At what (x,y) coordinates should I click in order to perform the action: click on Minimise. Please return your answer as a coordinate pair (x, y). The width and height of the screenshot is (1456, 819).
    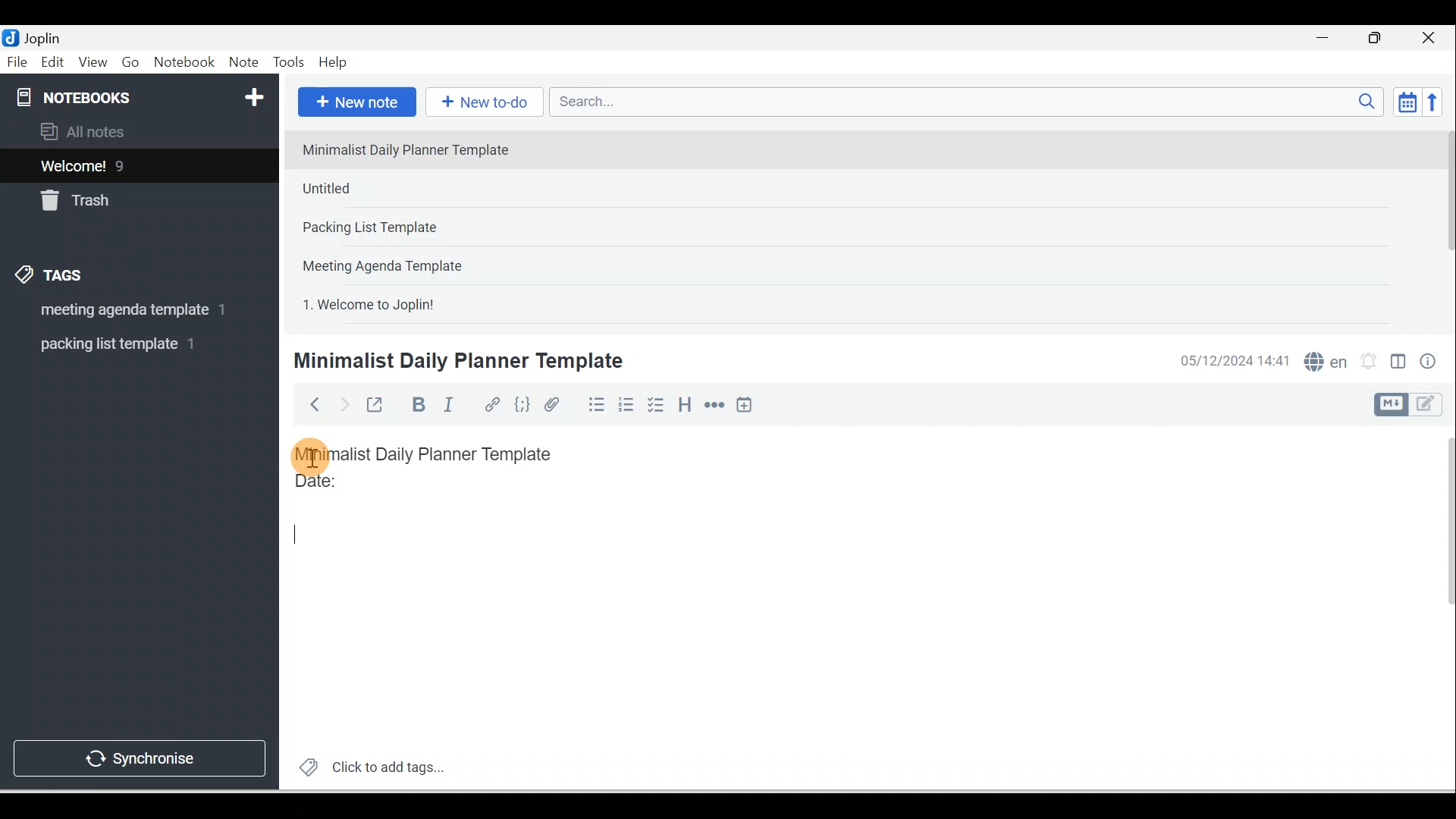
    Looking at the image, I should click on (1327, 39).